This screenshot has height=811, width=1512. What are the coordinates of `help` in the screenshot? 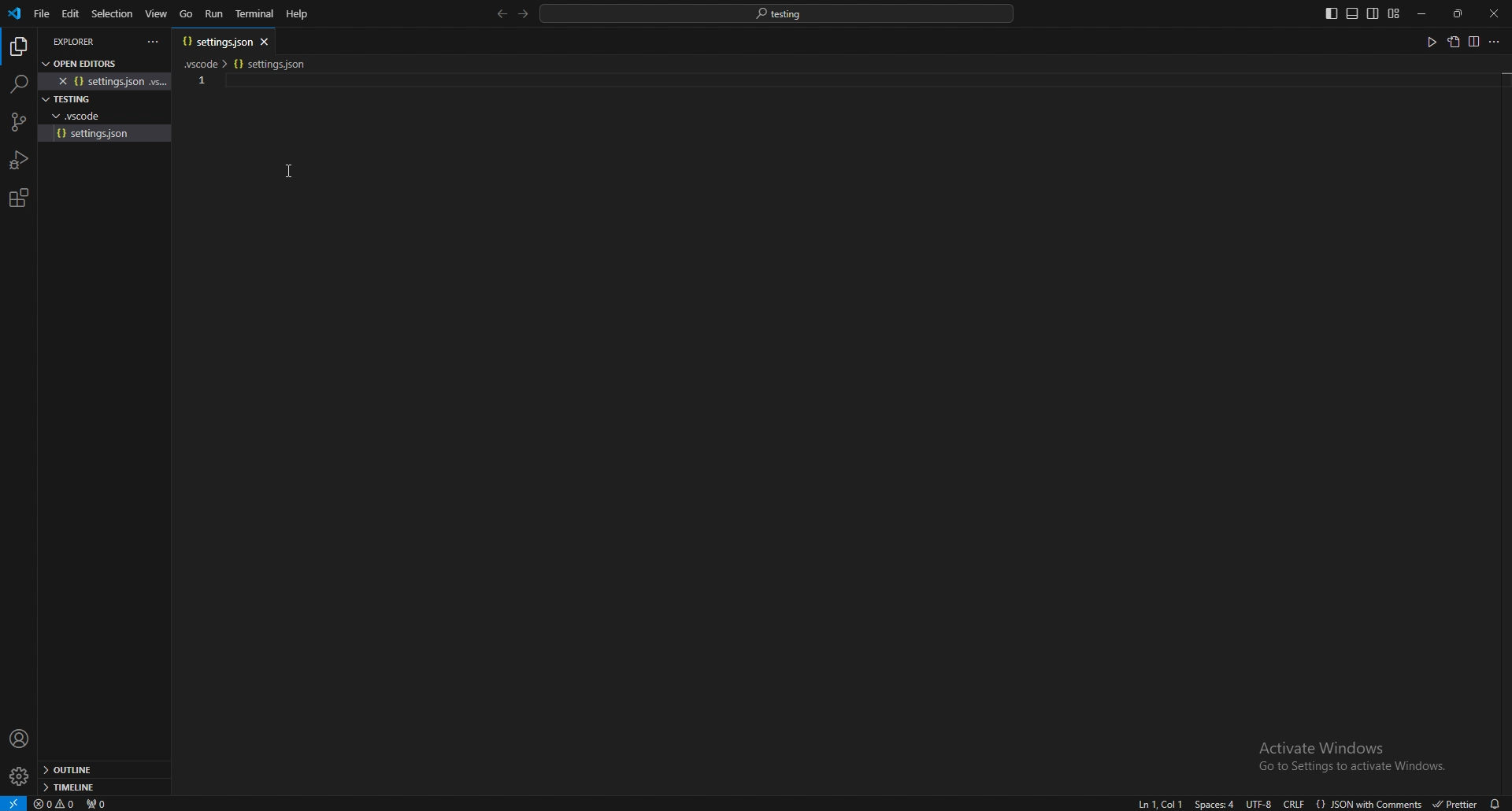 It's located at (298, 13).